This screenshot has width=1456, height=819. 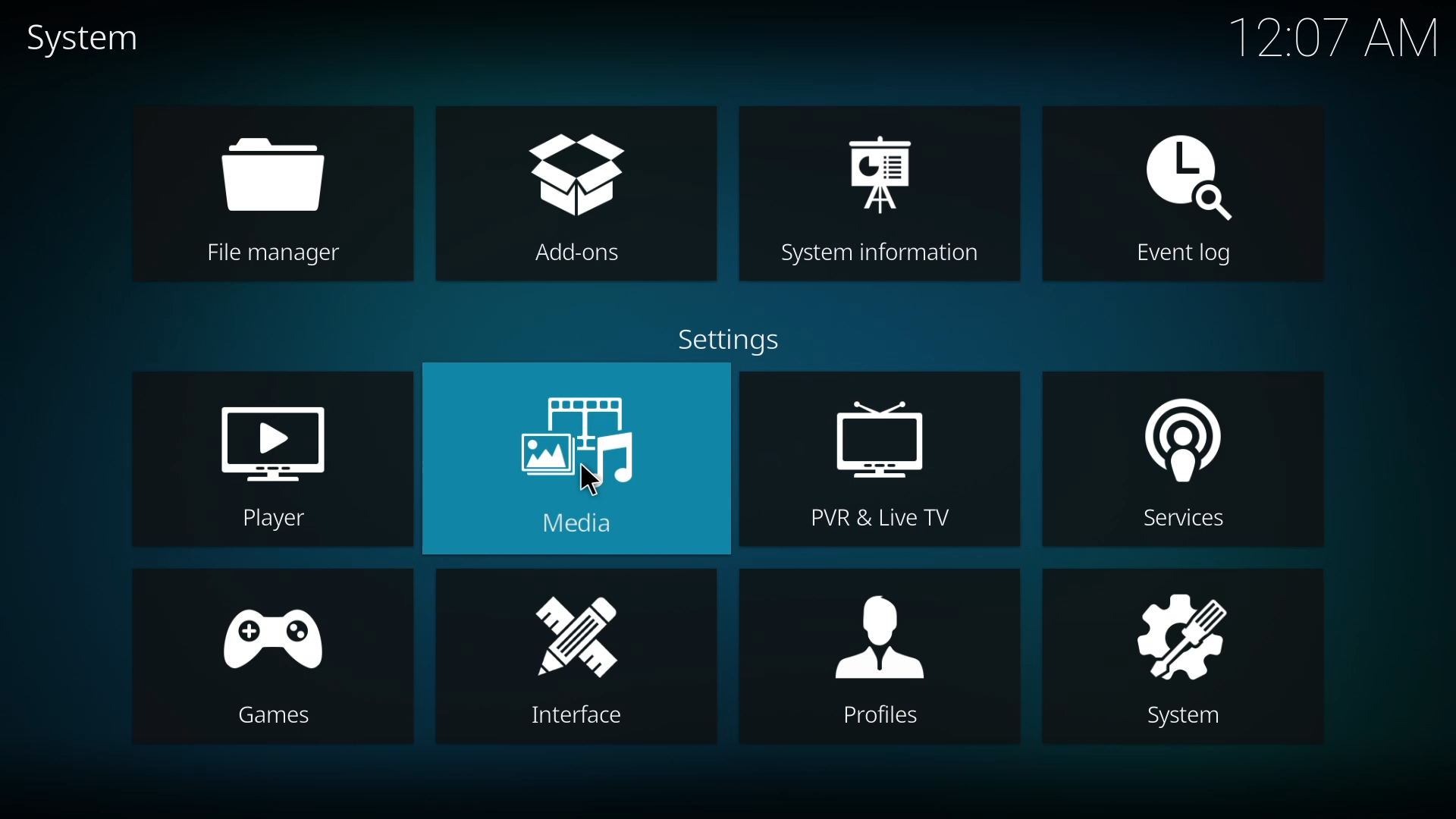 What do you see at coordinates (1181, 193) in the screenshot?
I see `event log` at bounding box center [1181, 193].